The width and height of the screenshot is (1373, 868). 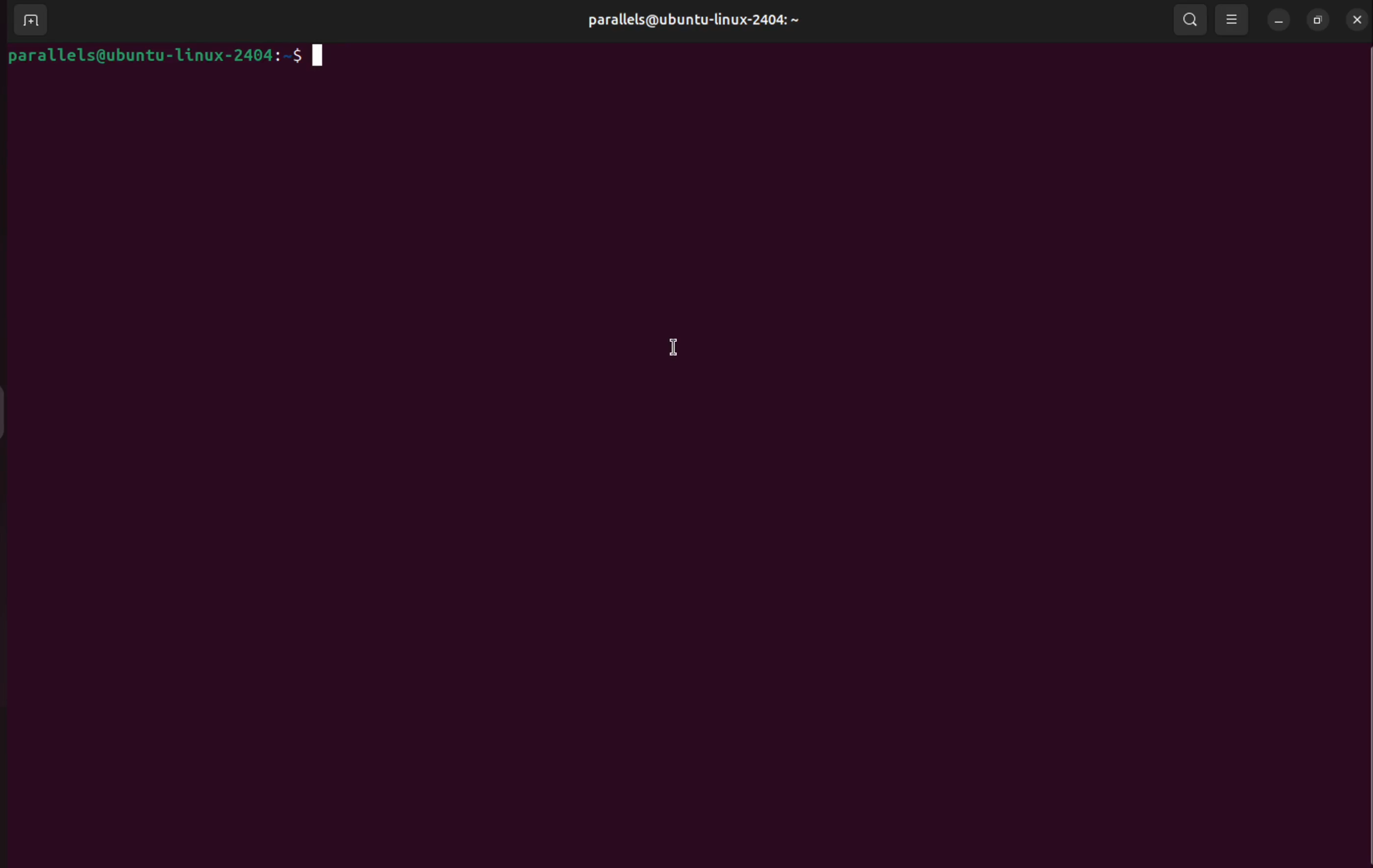 What do you see at coordinates (1279, 22) in the screenshot?
I see `minimize` at bounding box center [1279, 22].